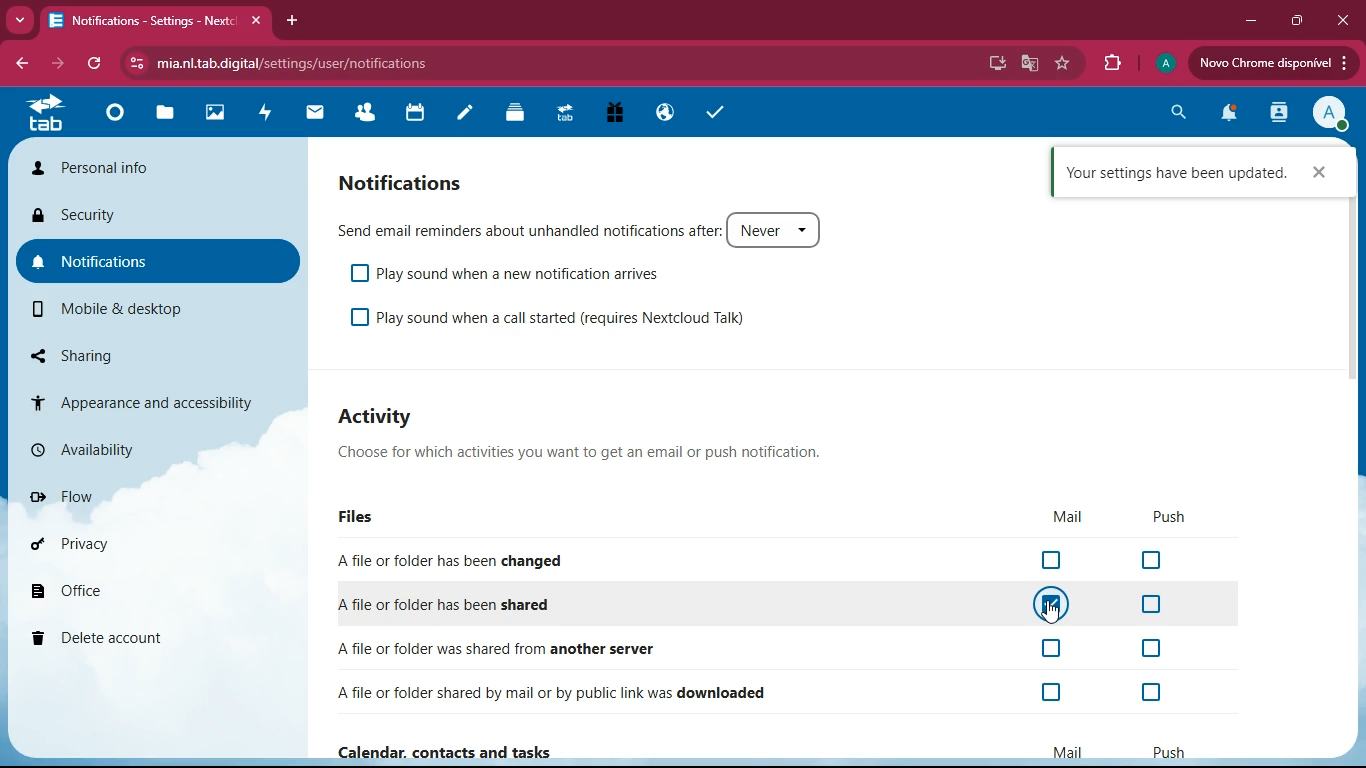 The image size is (1366, 768). I want to click on profile, so click(1331, 113).